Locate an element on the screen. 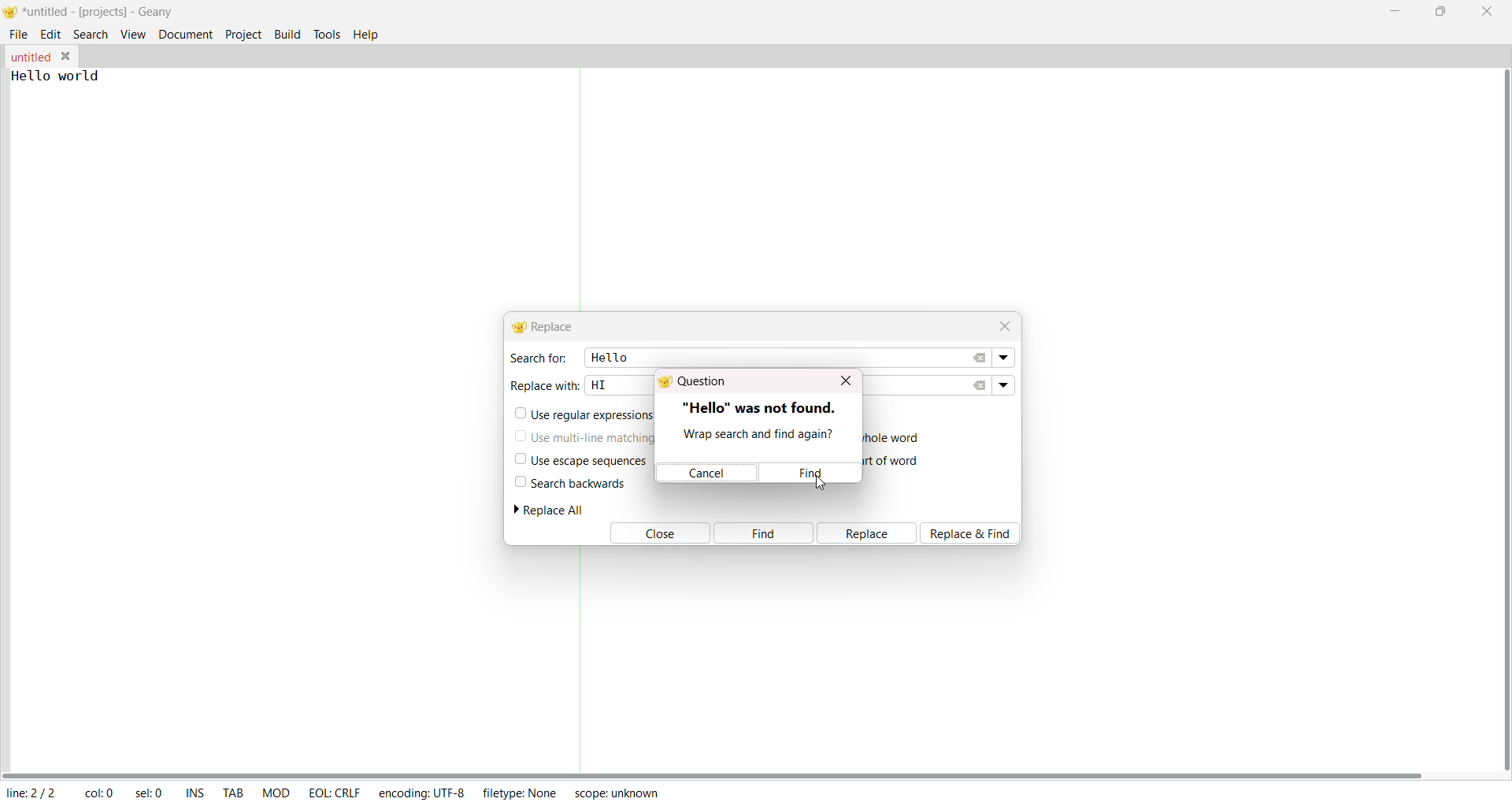 Image resolution: width=1512 pixels, height=802 pixels. sel: 0 is located at coordinates (150, 793).